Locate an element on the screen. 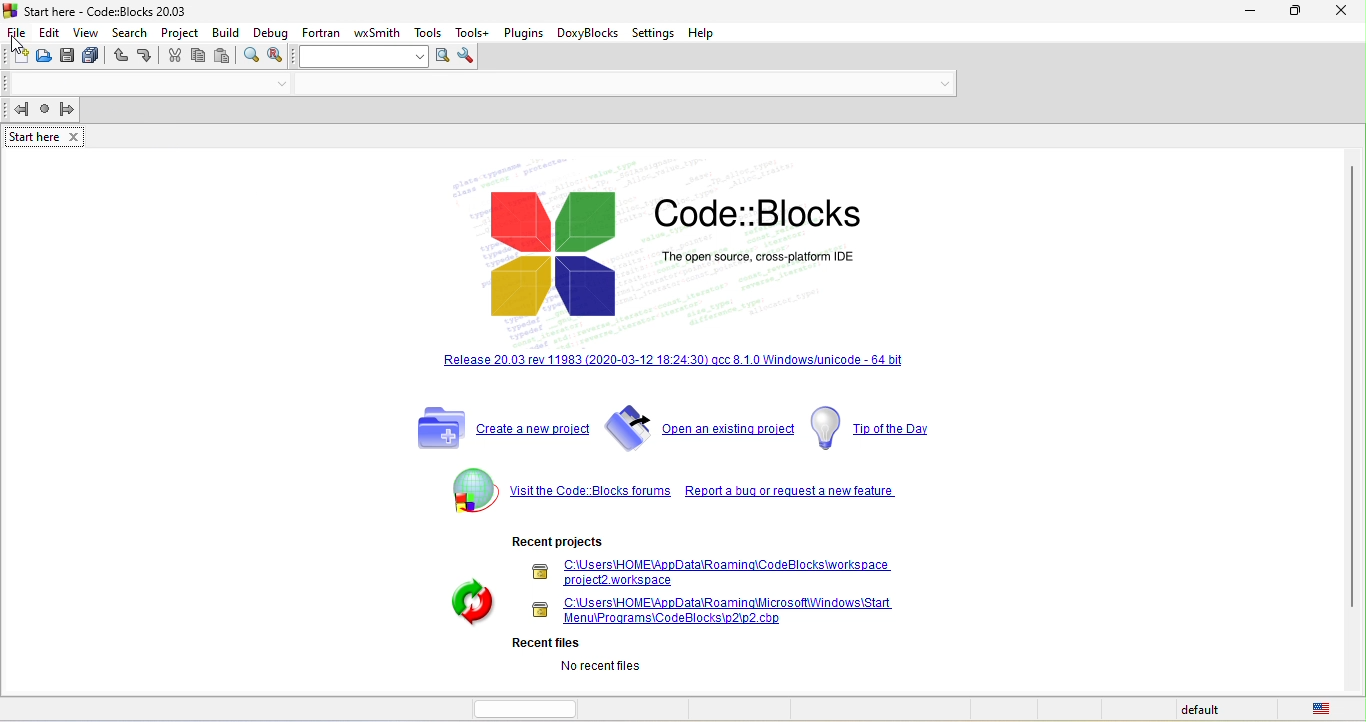 Image resolution: width=1366 pixels, height=722 pixels. Start here - Code::Blocks 20.03 is located at coordinates (98, 10).